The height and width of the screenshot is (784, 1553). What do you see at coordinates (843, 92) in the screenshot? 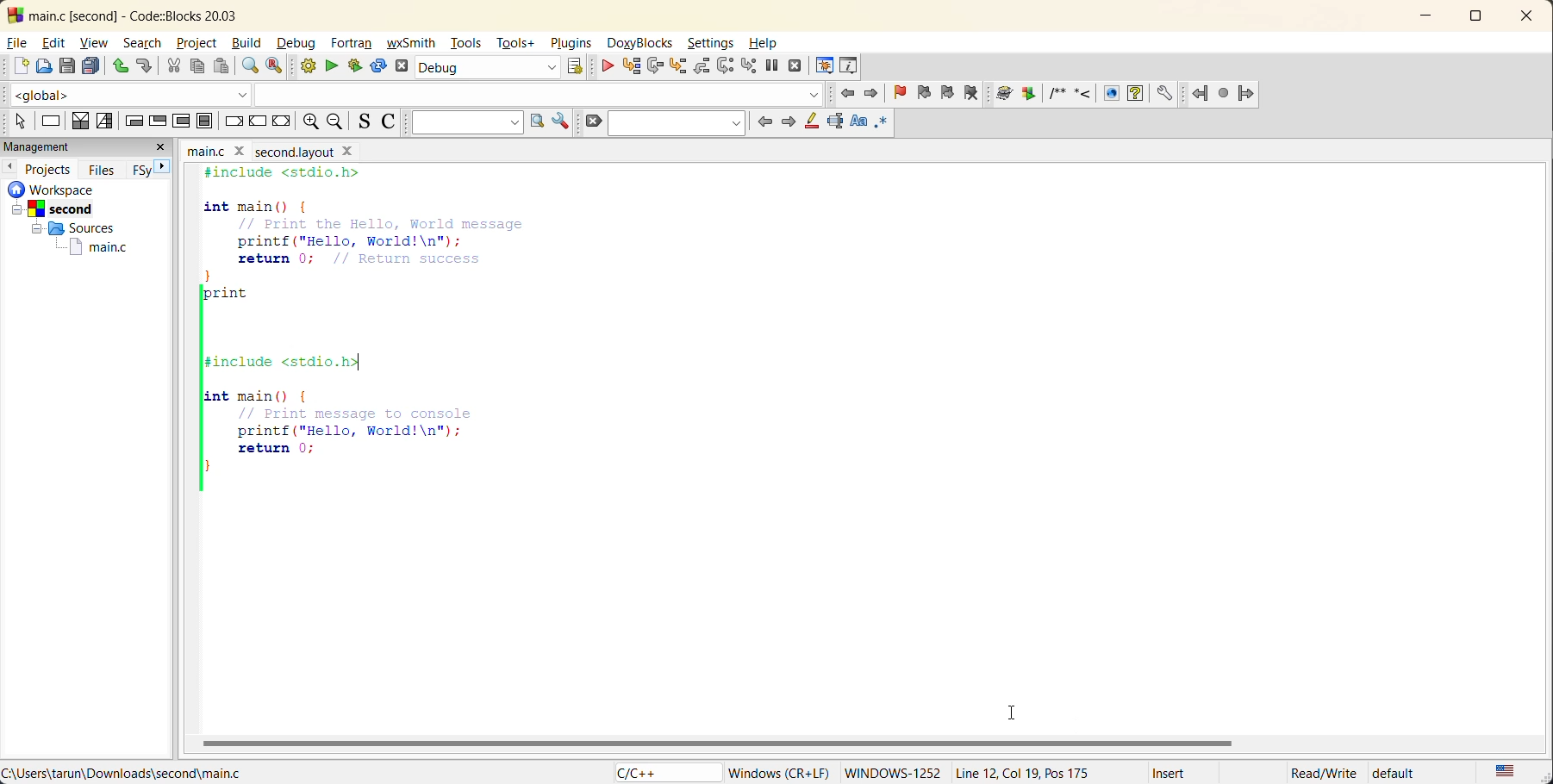
I see `jump back` at bounding box center [843, 92].